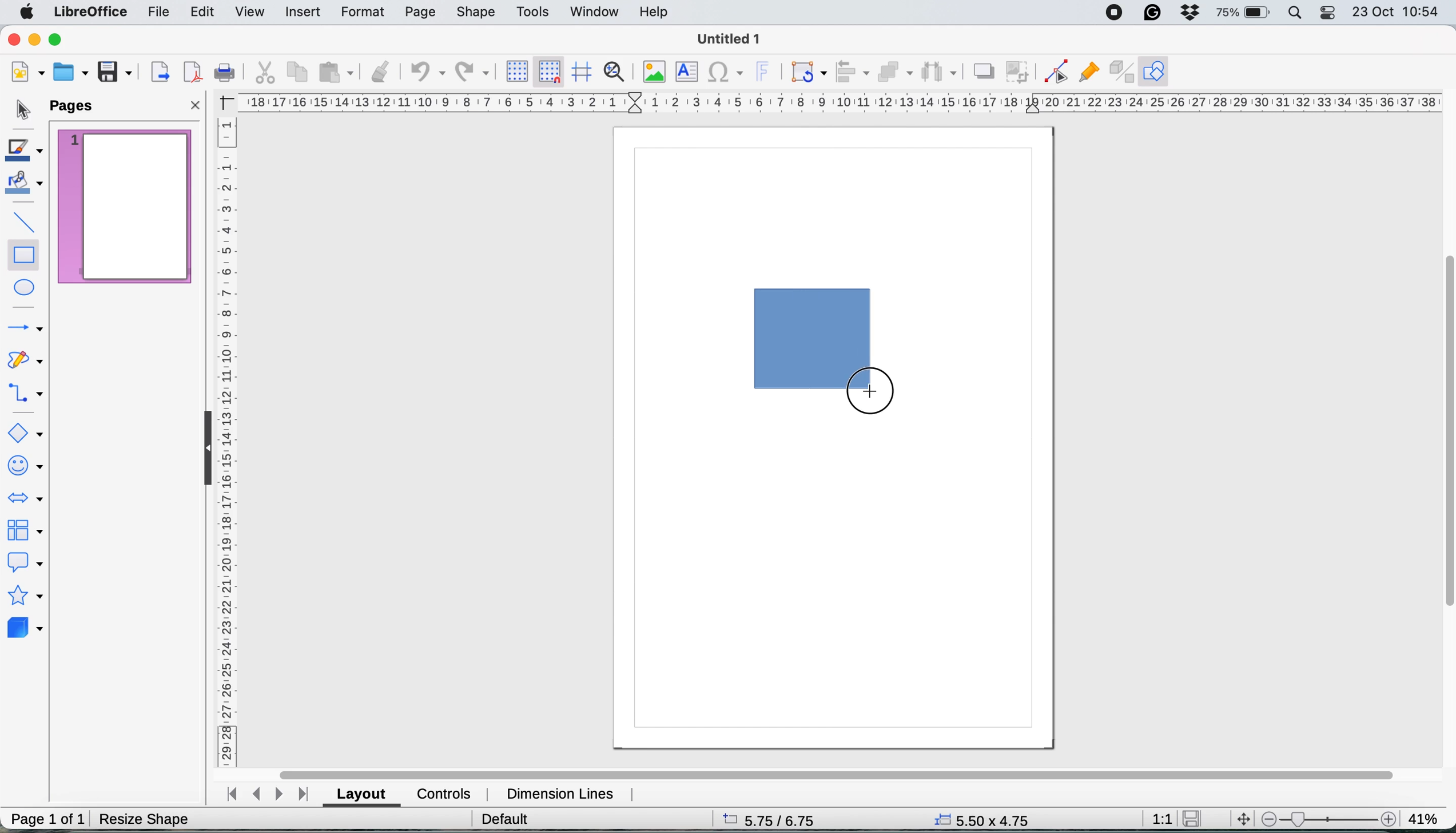 The width and height of the screenshot is (1456, 833). I want to click on default, so click(504, 818).